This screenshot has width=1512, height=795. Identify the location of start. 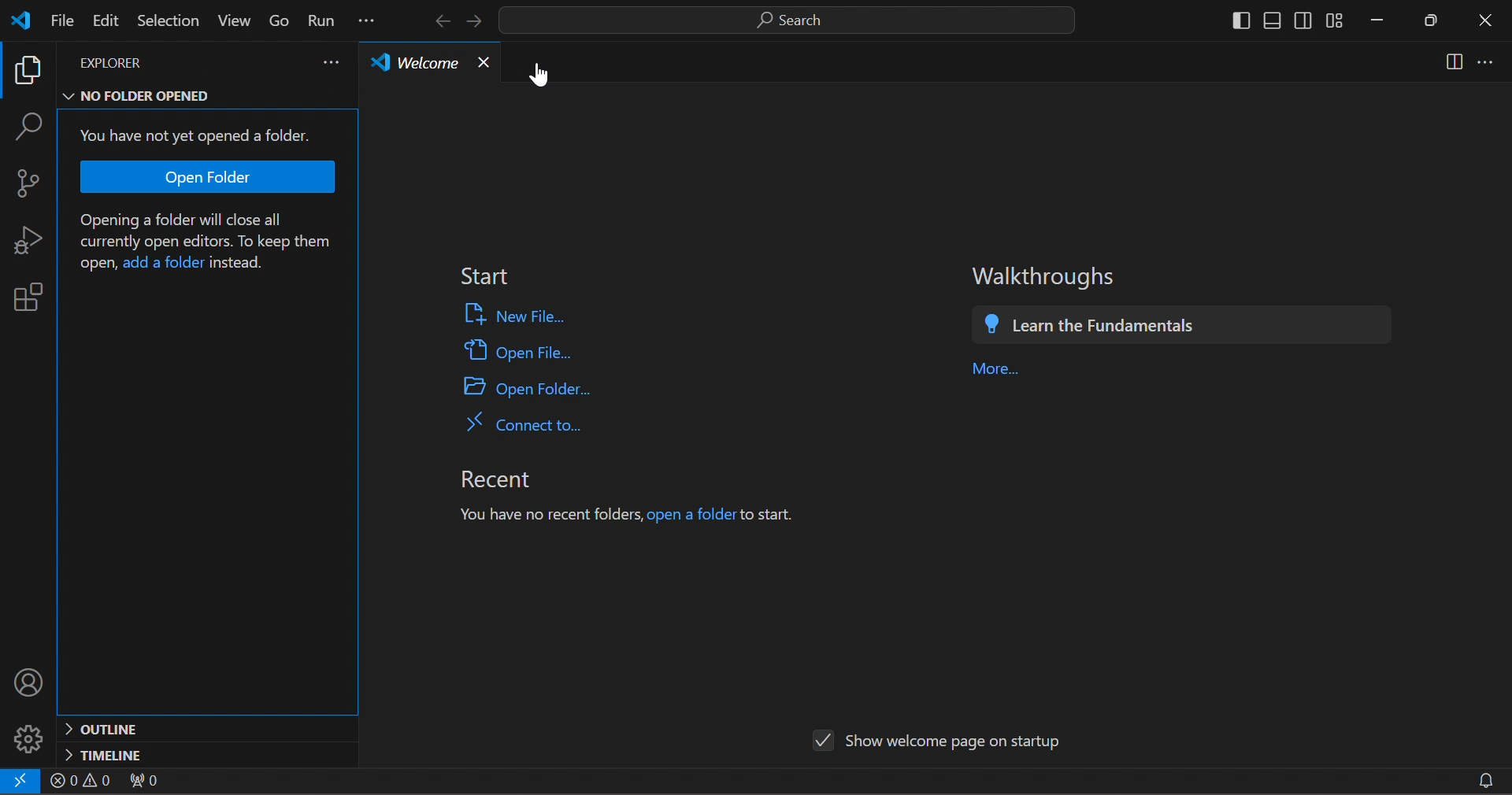
(481, 277).